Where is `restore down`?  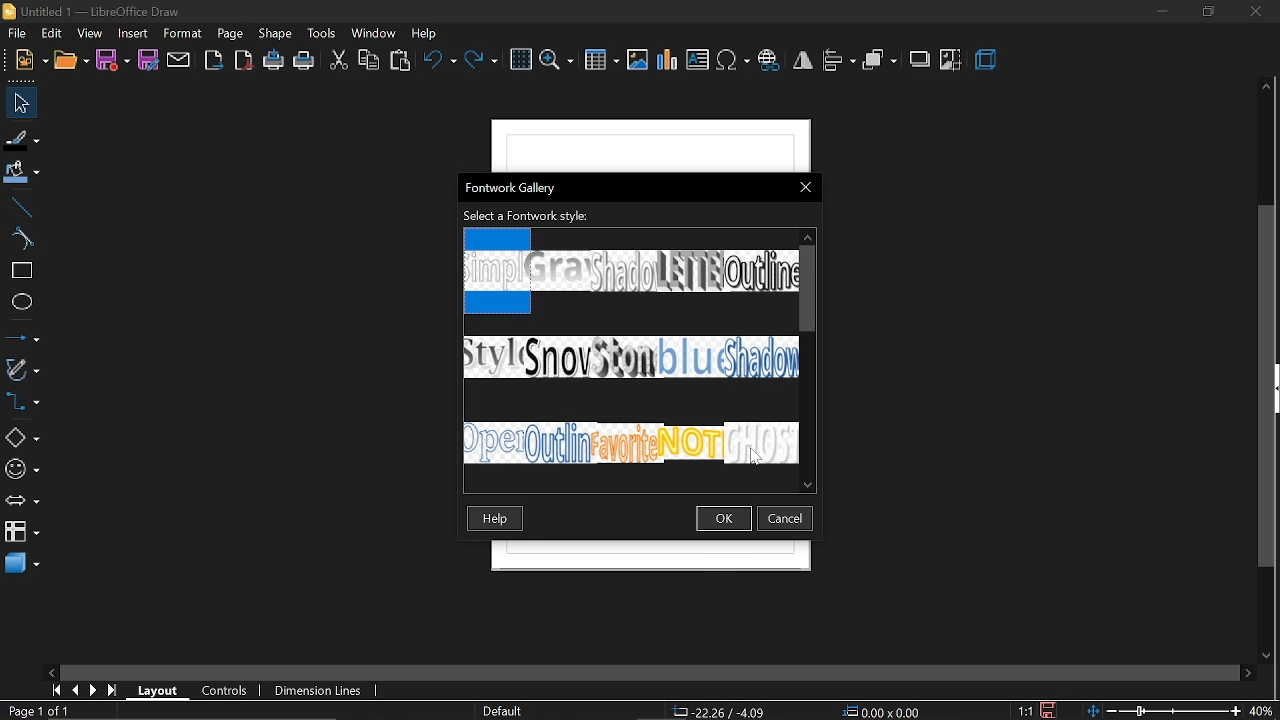
restore down is located at coordinates (1207, 12).